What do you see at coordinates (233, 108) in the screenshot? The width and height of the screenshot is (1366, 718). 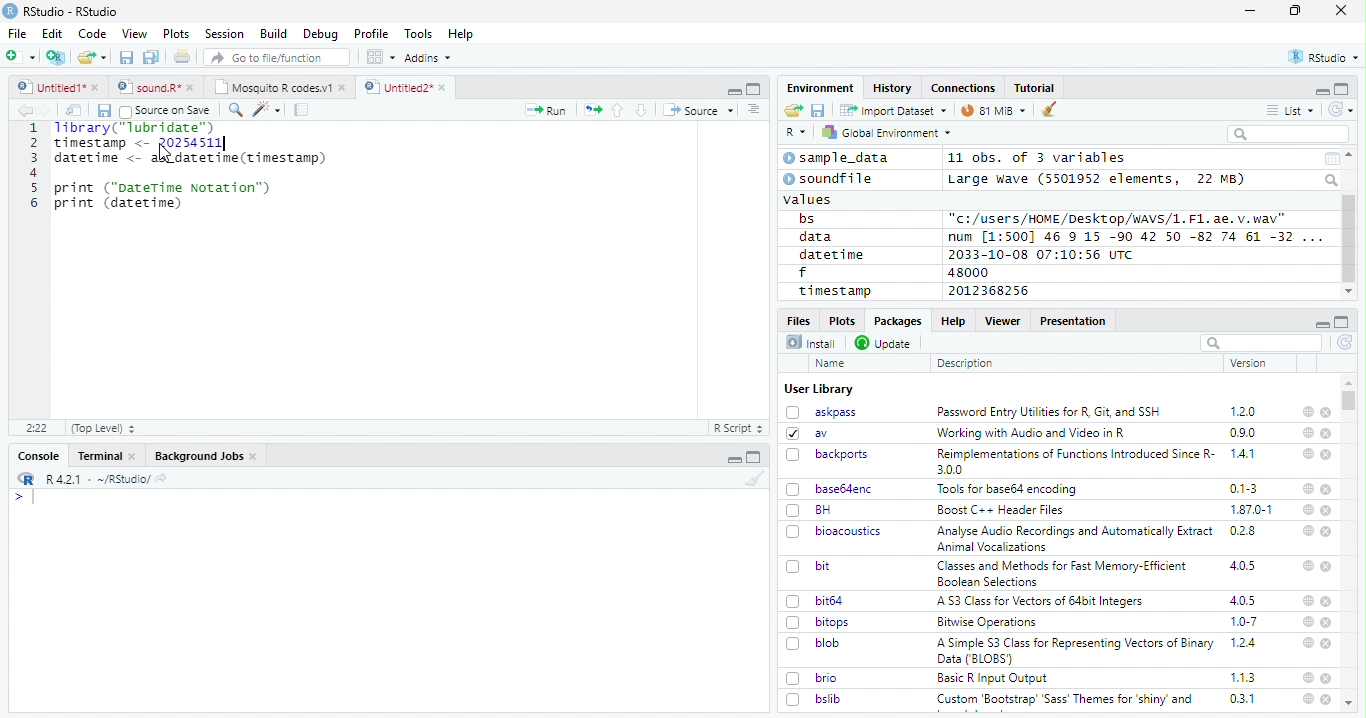 I see `find` at bounding box center [233, 108].